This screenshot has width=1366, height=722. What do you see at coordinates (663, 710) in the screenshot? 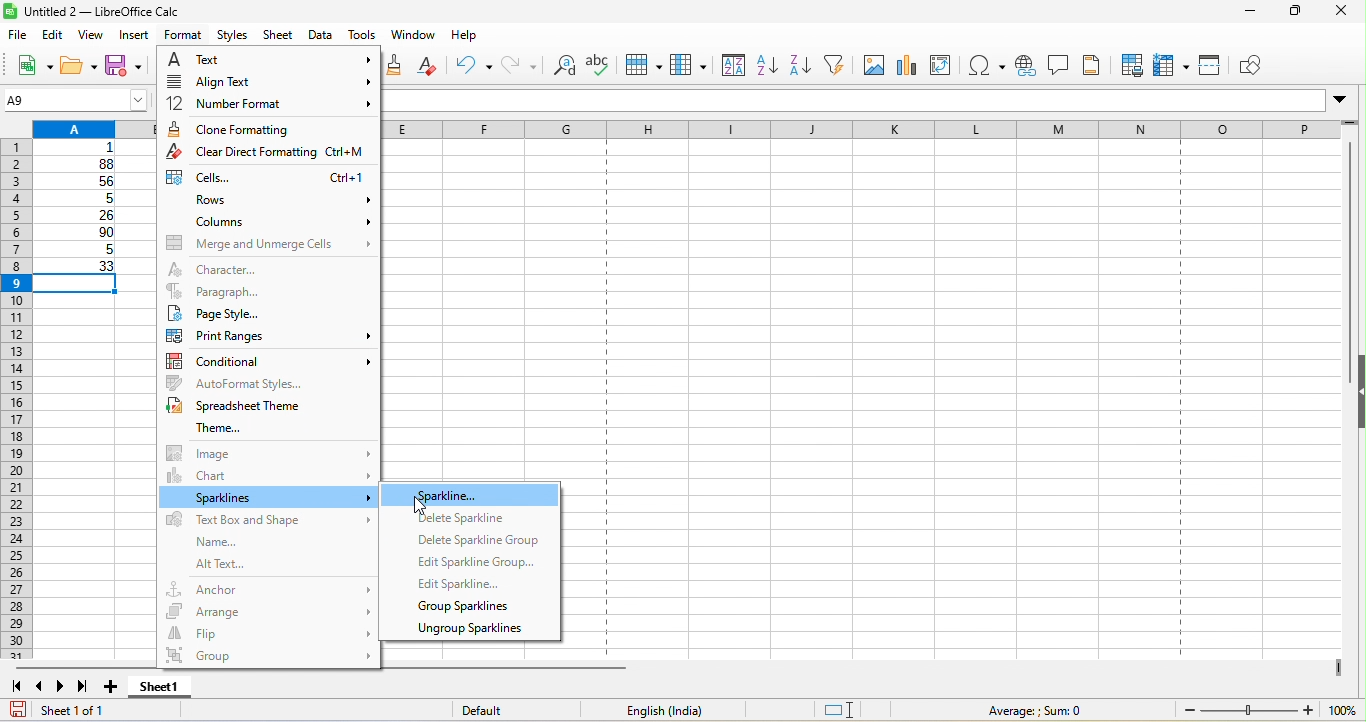
I see `text language` at bounding box center [663, 710].